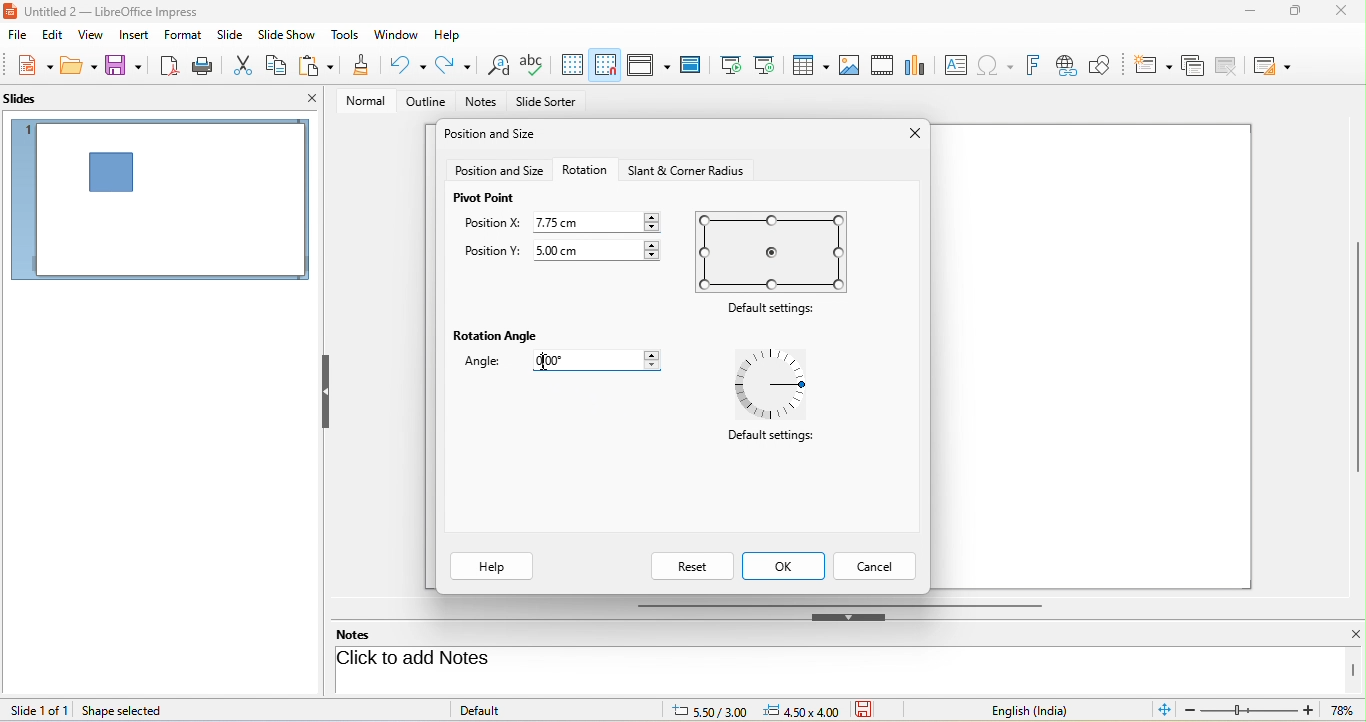 This screenshot has width=1366, height=722. What do you see at coordinates (206, 65) in the screenshot?
I see `print` at bounding box center [206, 65].